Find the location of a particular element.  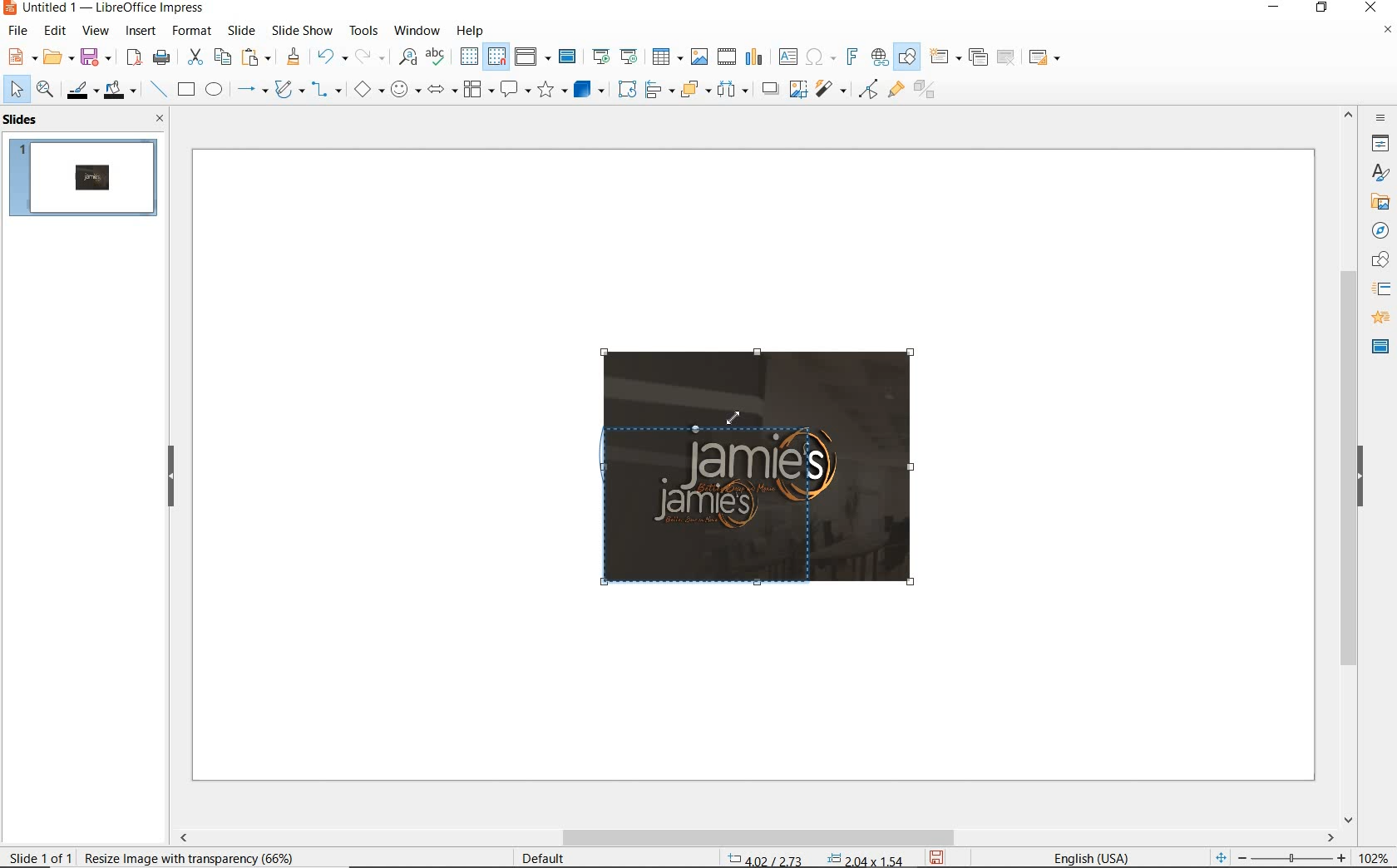

insert image is located at coordinates (698, 57).